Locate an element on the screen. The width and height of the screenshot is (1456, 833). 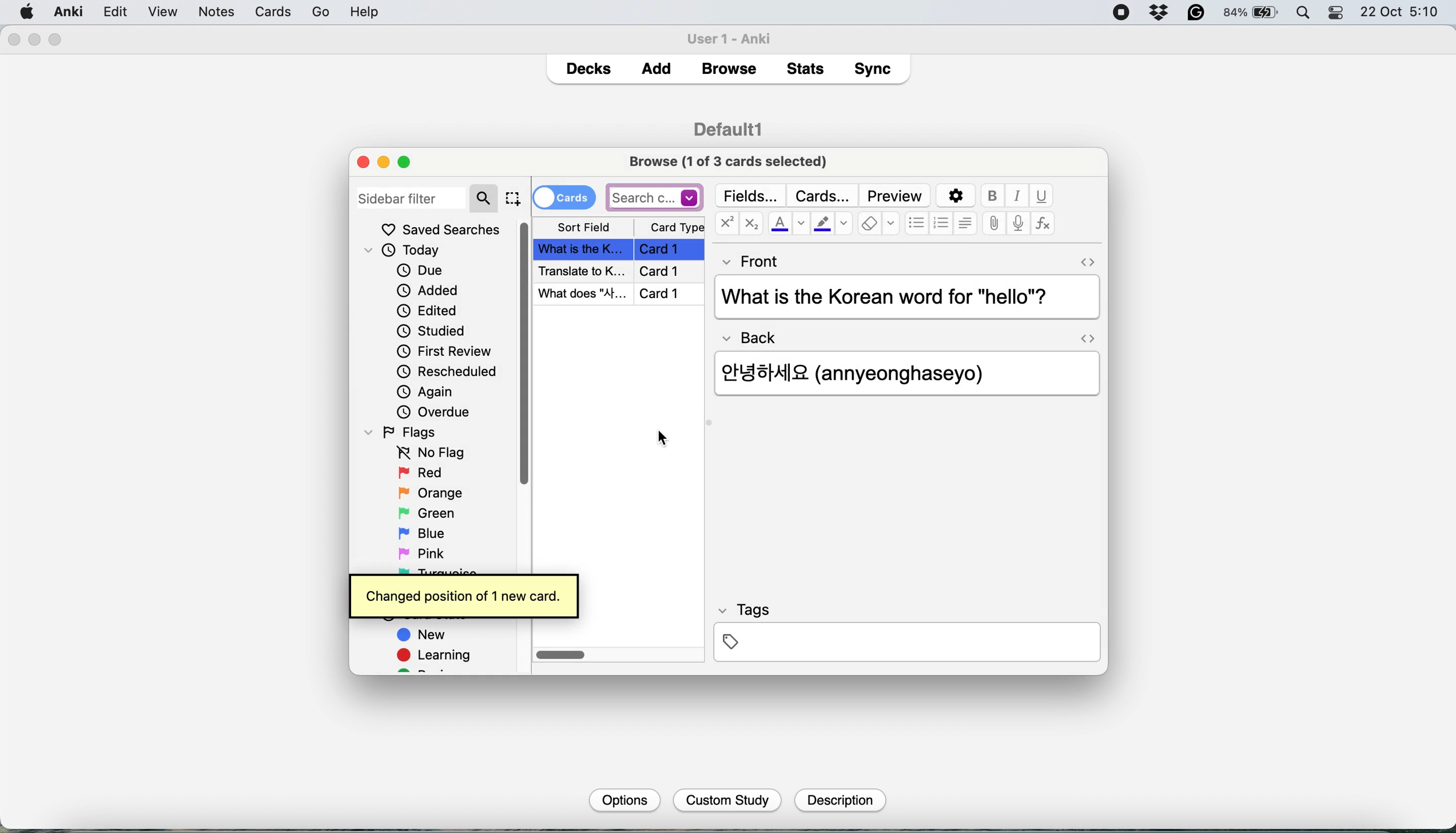
erase is located at coordinates (878, 224).